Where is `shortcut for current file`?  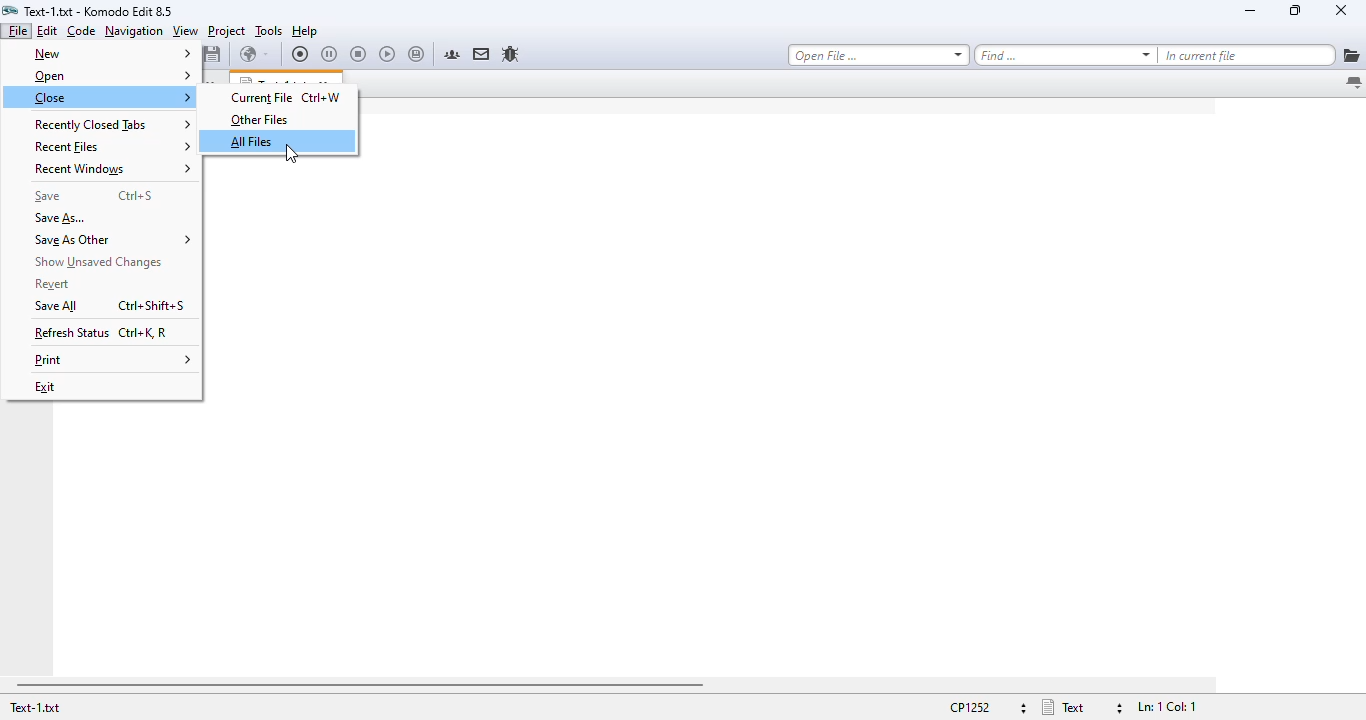
shortcut for current file is located at coordinates (322, 97).